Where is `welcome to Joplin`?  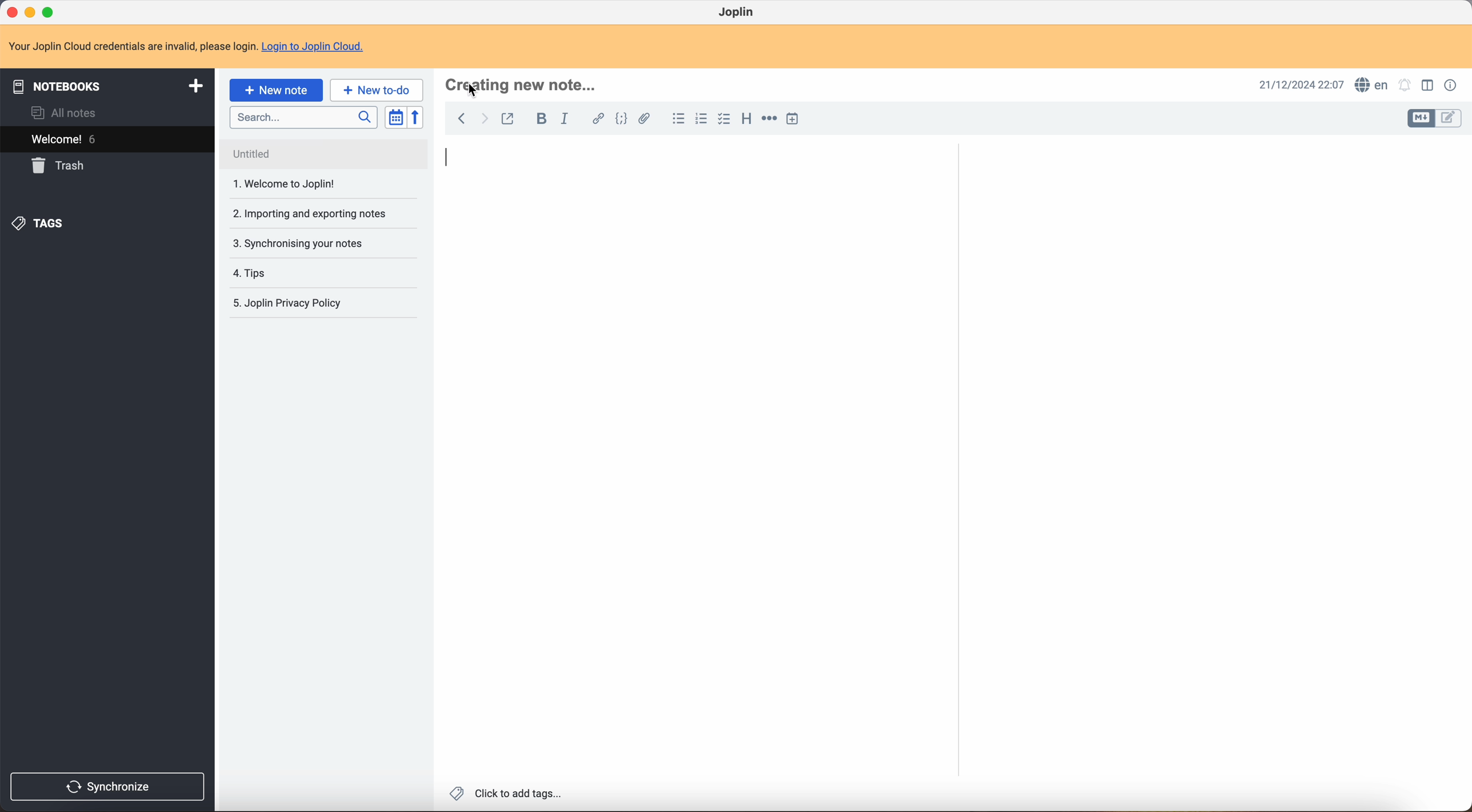
welcome to Joplin is located at coordinates (287, 155).